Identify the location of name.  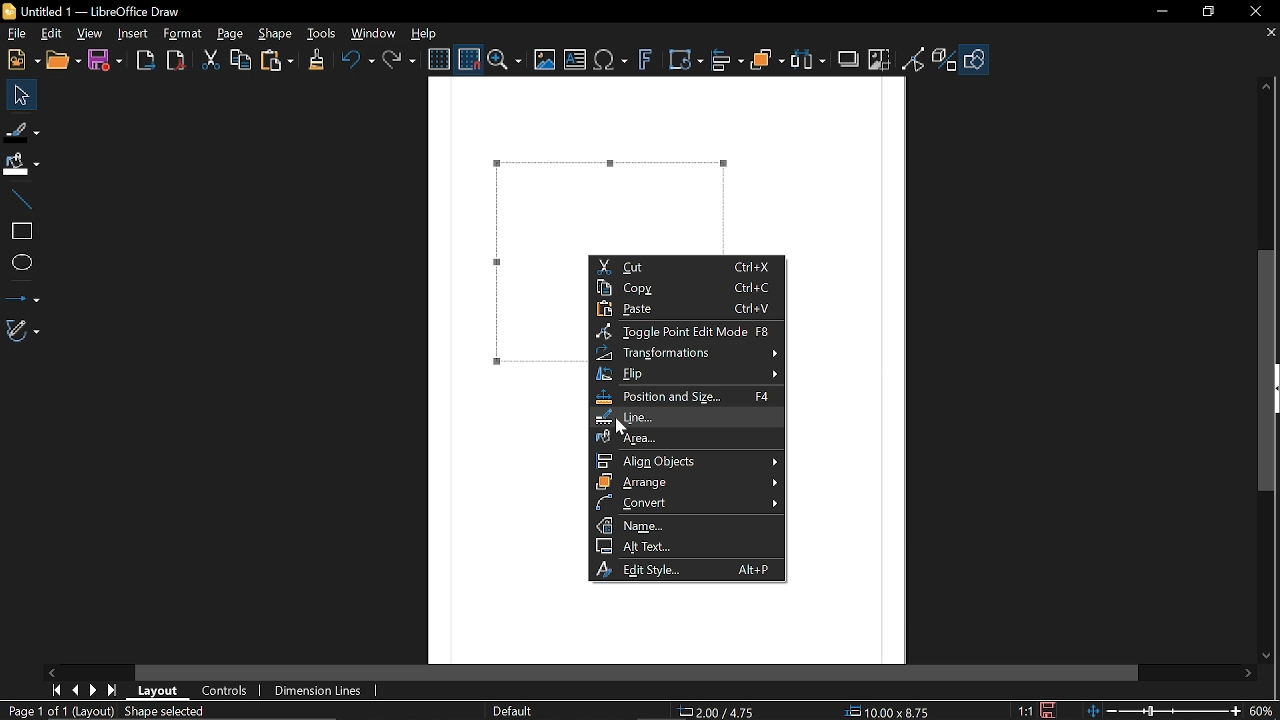
(686, 525).